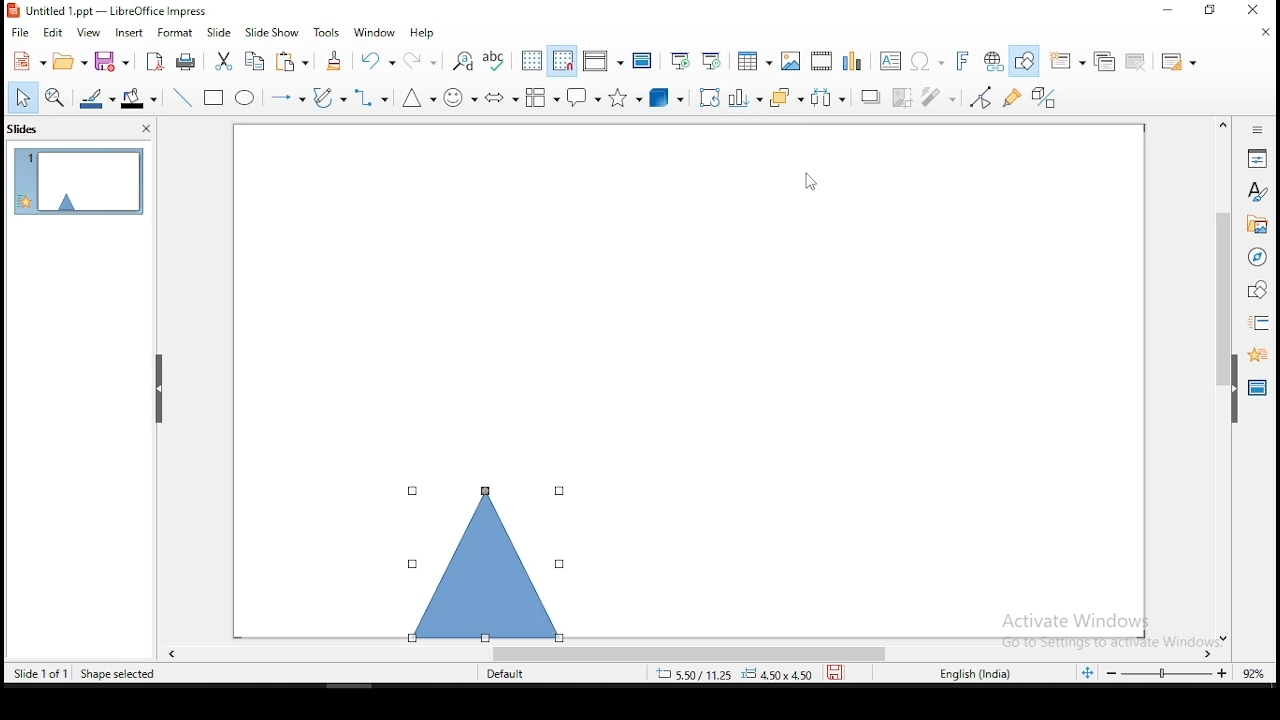 The image size is (1280, 720). I want to click on show draw functions, so click(1023, 62).